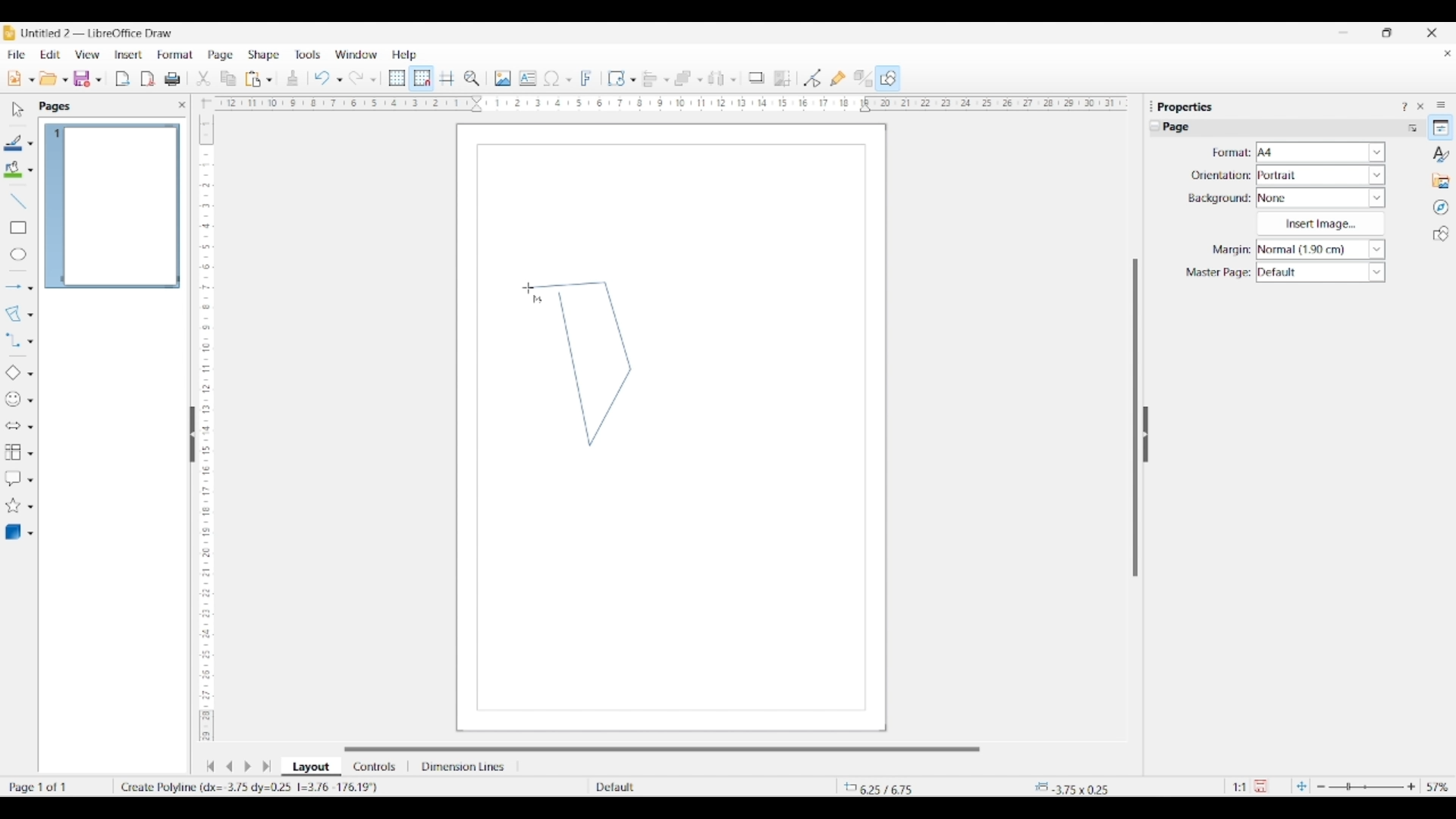 The image size is (1456, 819). What do you see at coordinates (14, 400) in the screenshot?
I see `Selected symbol` at bounding box center [14, 400].